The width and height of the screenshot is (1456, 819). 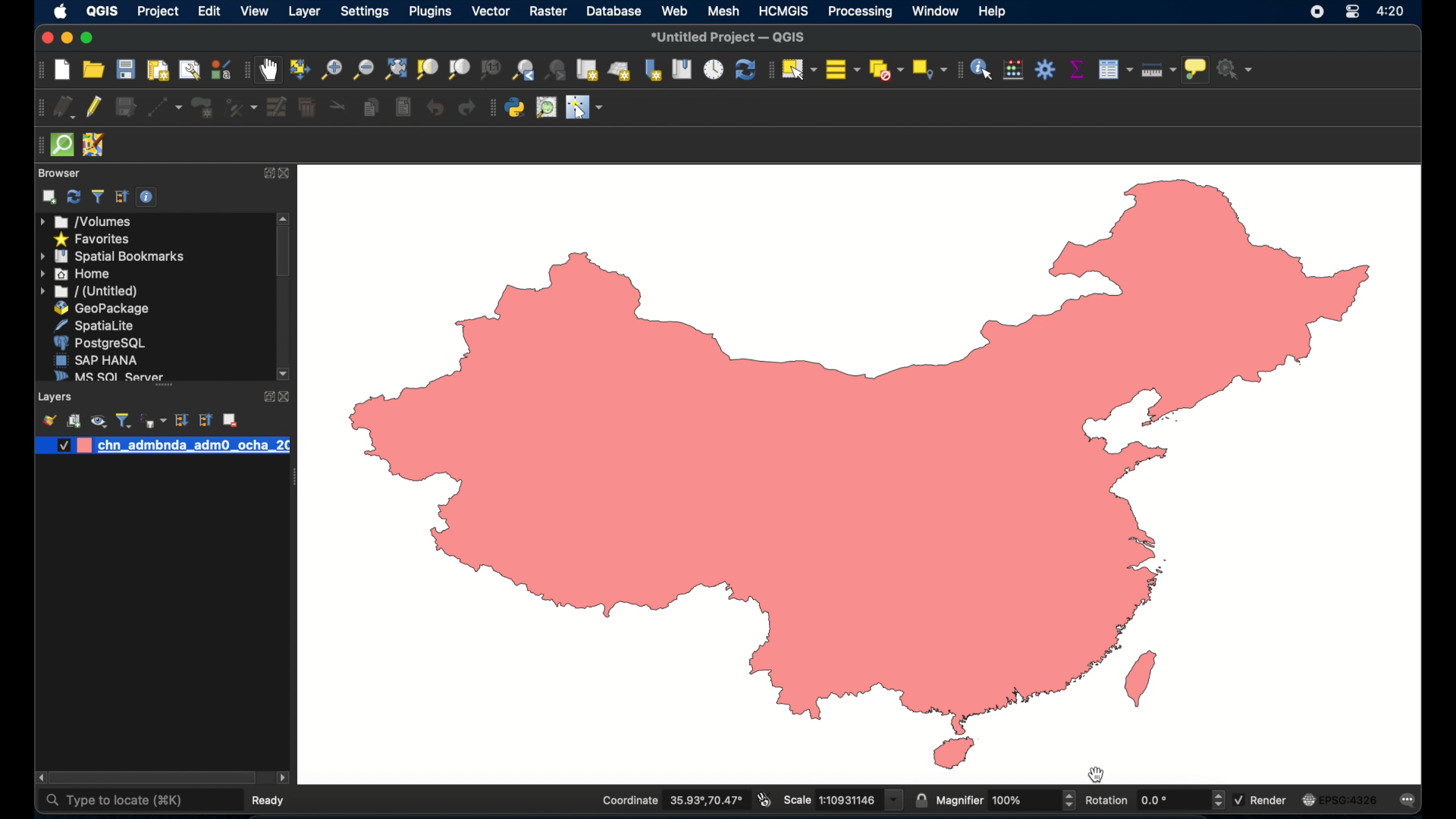 What do you see at coordinates (723, 11) in the screenshot?
I see `mesh` at bounding box center [723, 11].